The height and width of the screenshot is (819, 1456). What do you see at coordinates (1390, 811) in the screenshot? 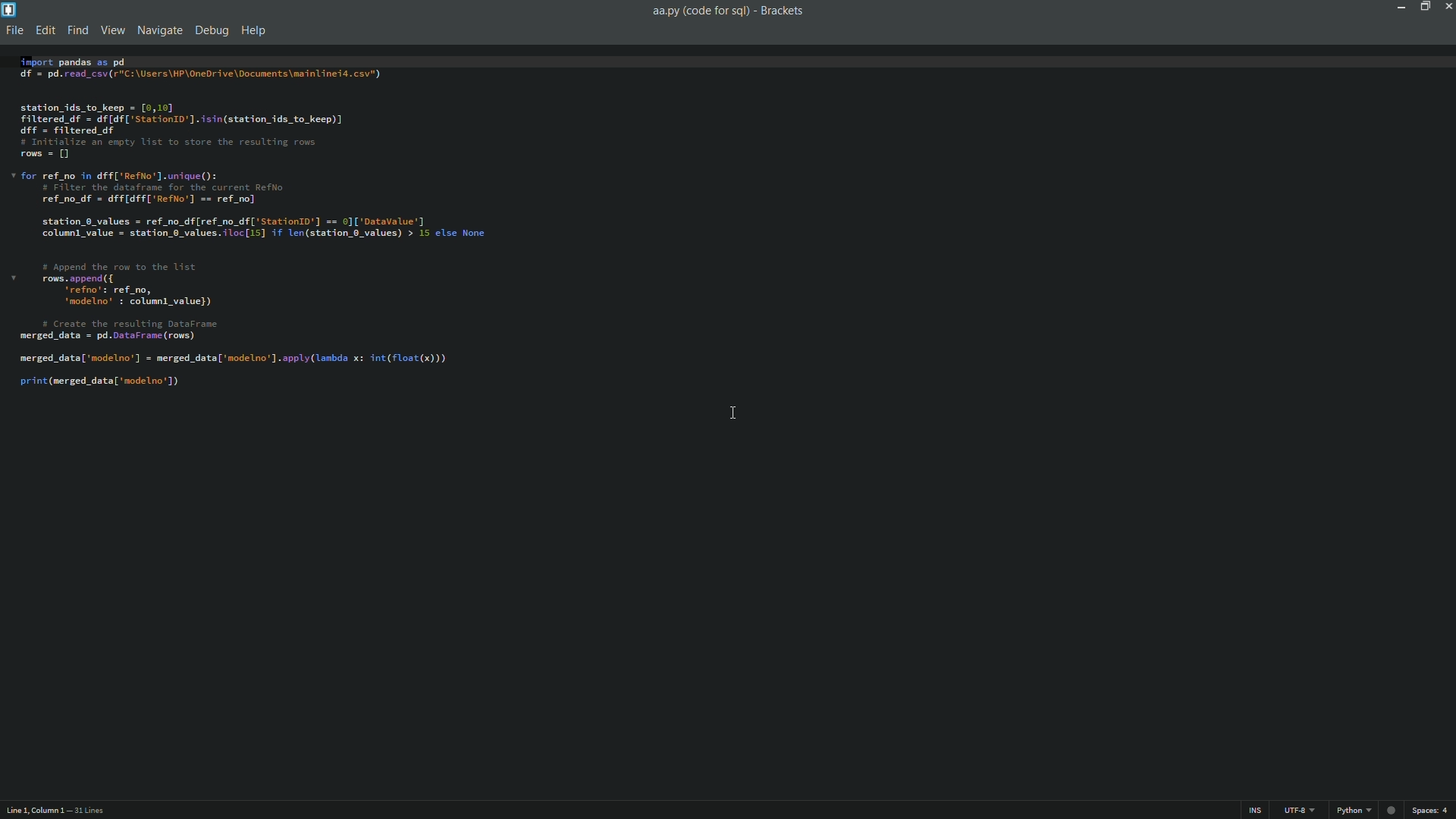
I see `No linter available` at bounding box center [1390, 811].